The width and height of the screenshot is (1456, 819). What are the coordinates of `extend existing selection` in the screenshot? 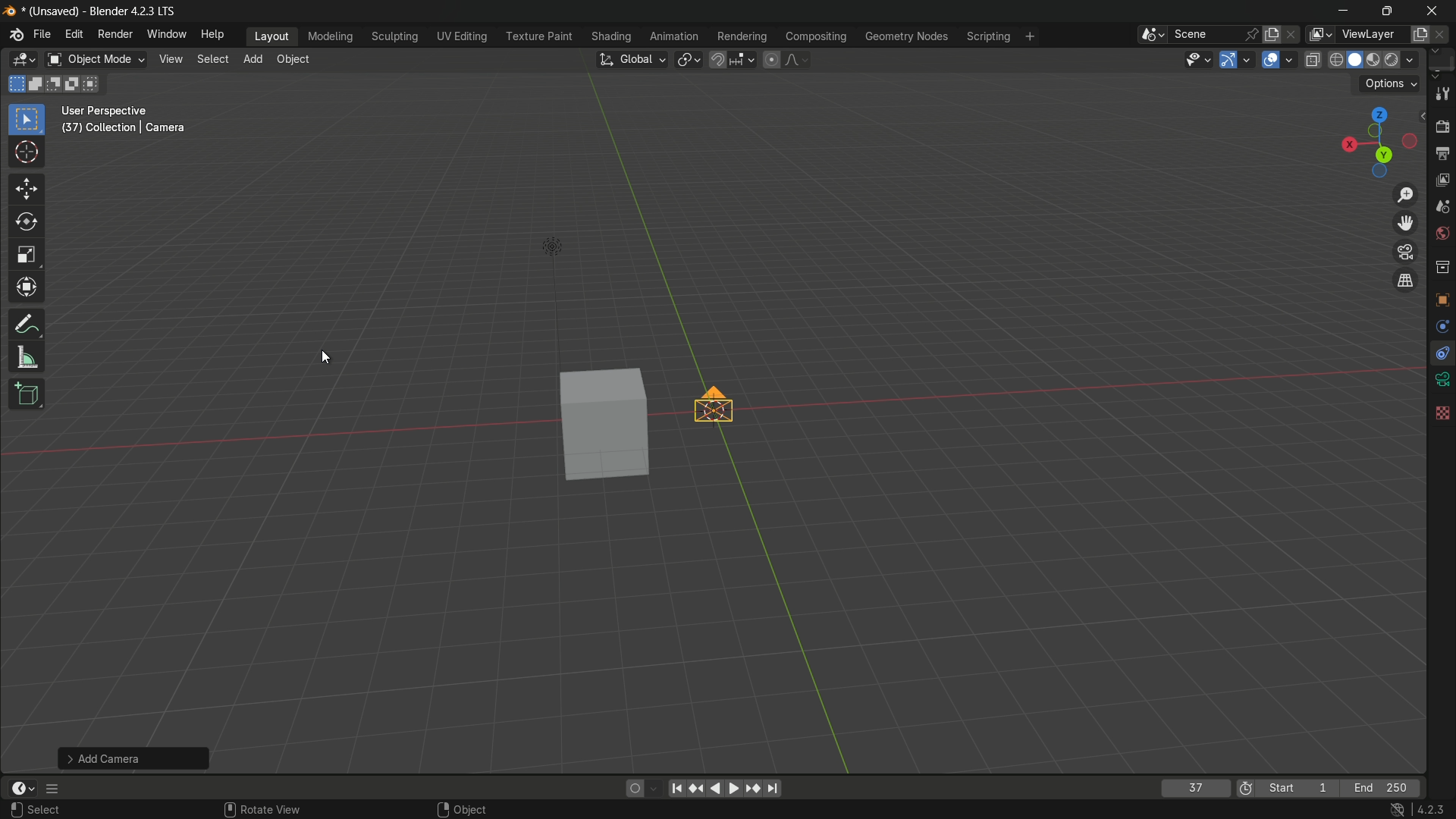 It's located at (37, 84).